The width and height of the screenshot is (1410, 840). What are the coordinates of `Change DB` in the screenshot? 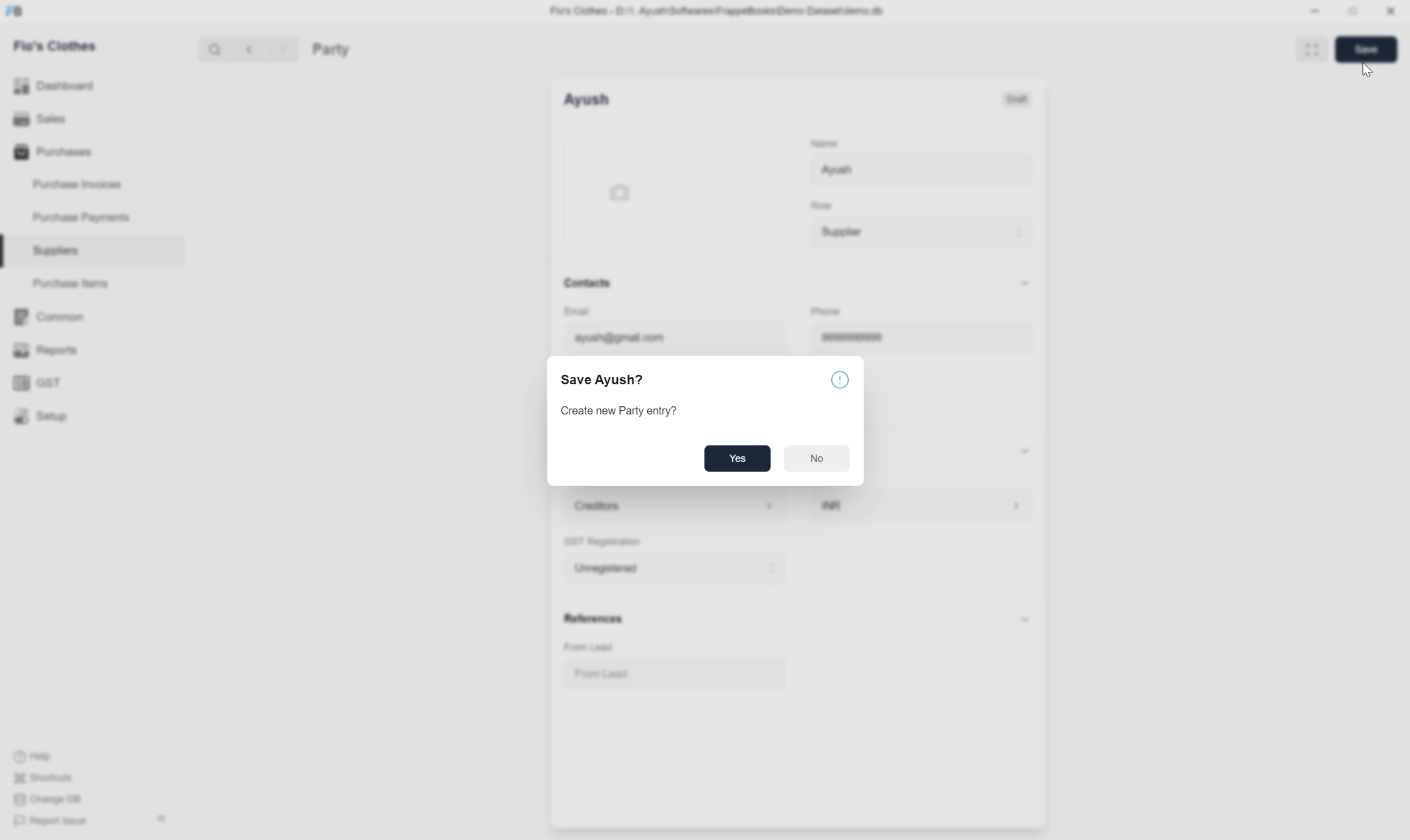 It's located at (50, 799).